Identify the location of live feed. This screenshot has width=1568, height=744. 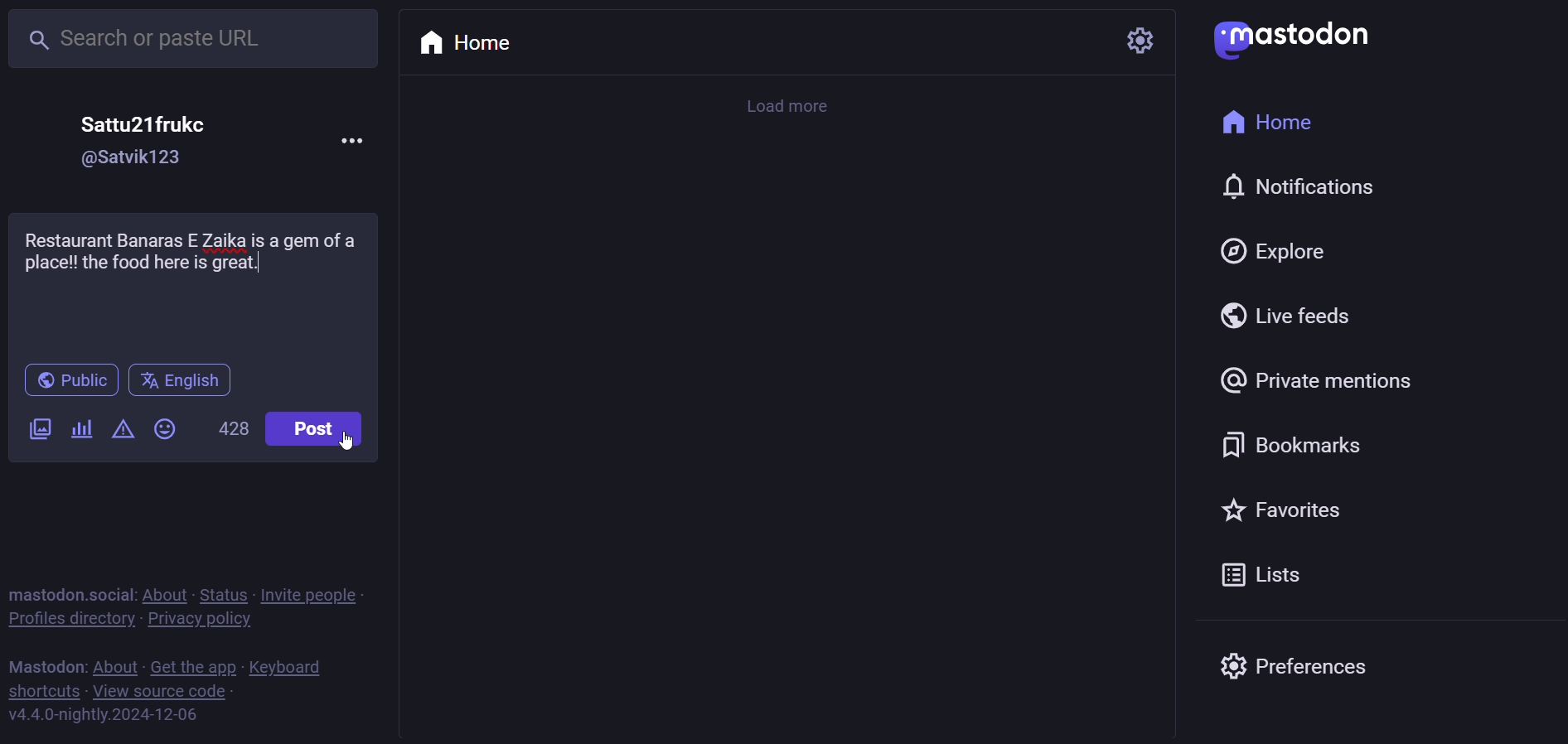
(1284, 314).